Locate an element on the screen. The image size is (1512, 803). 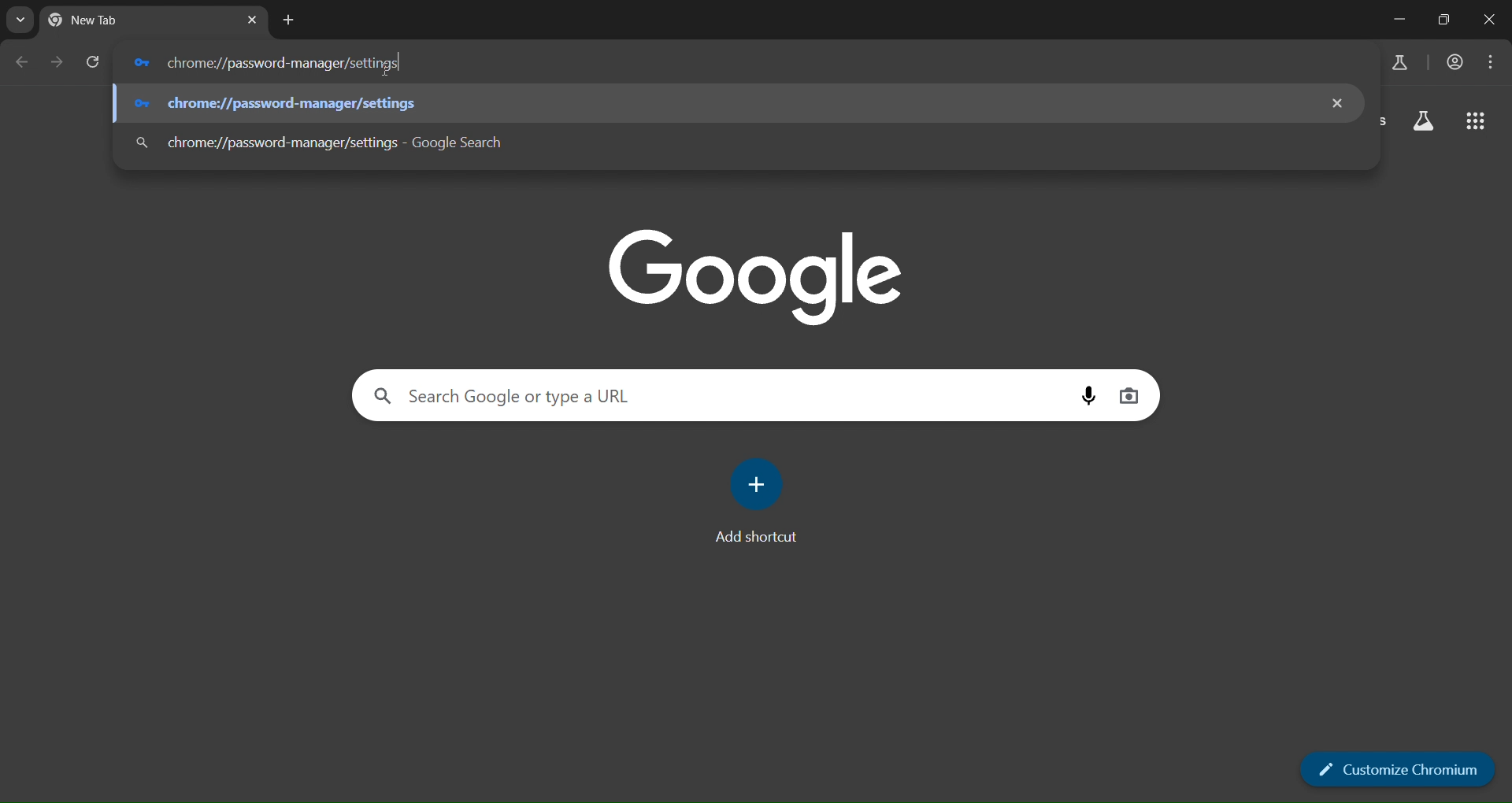
chrome://password-manager/settings is located at coordinates (276, 104).